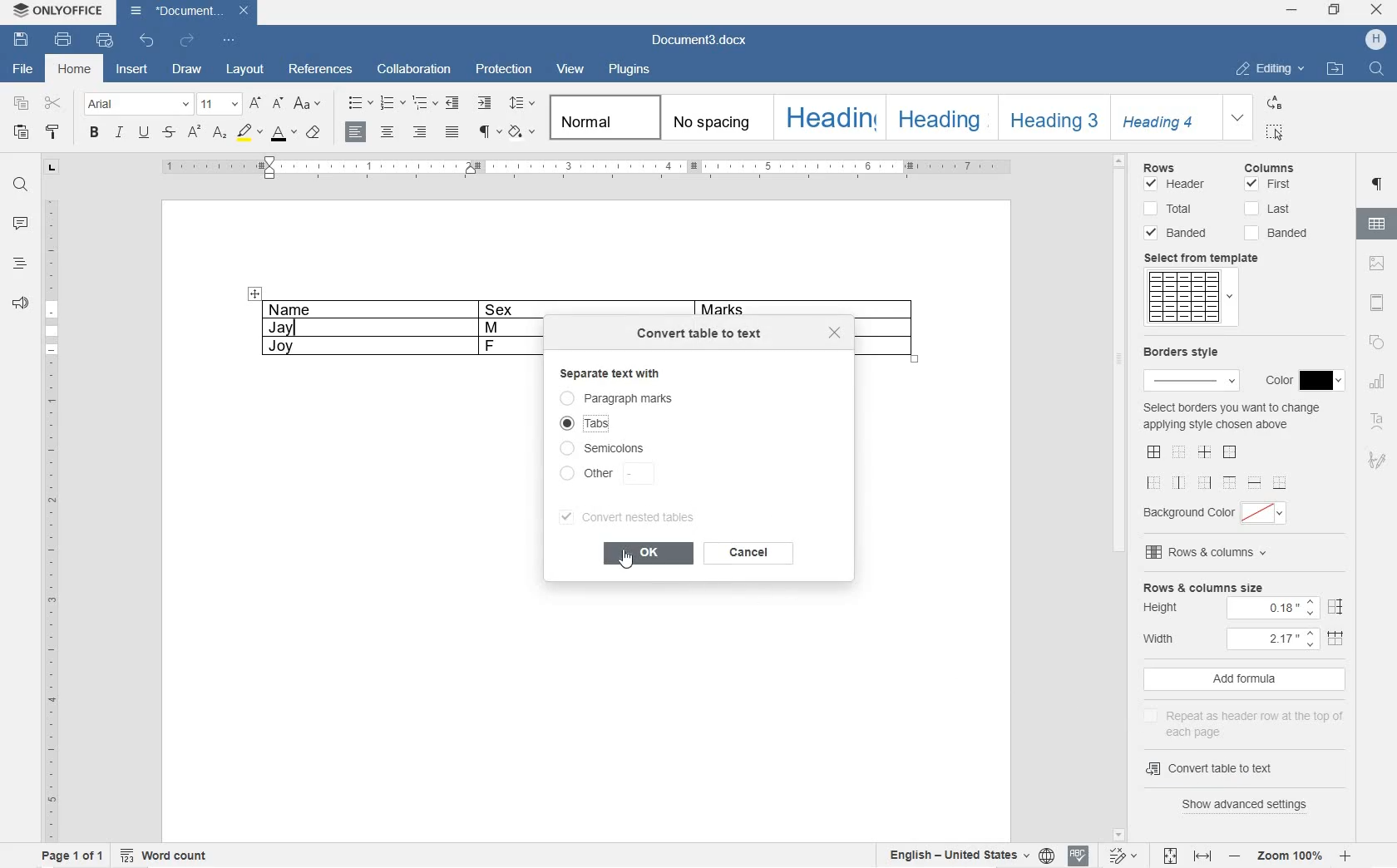  I want to click on HEIGHT, so click(1167, 609).